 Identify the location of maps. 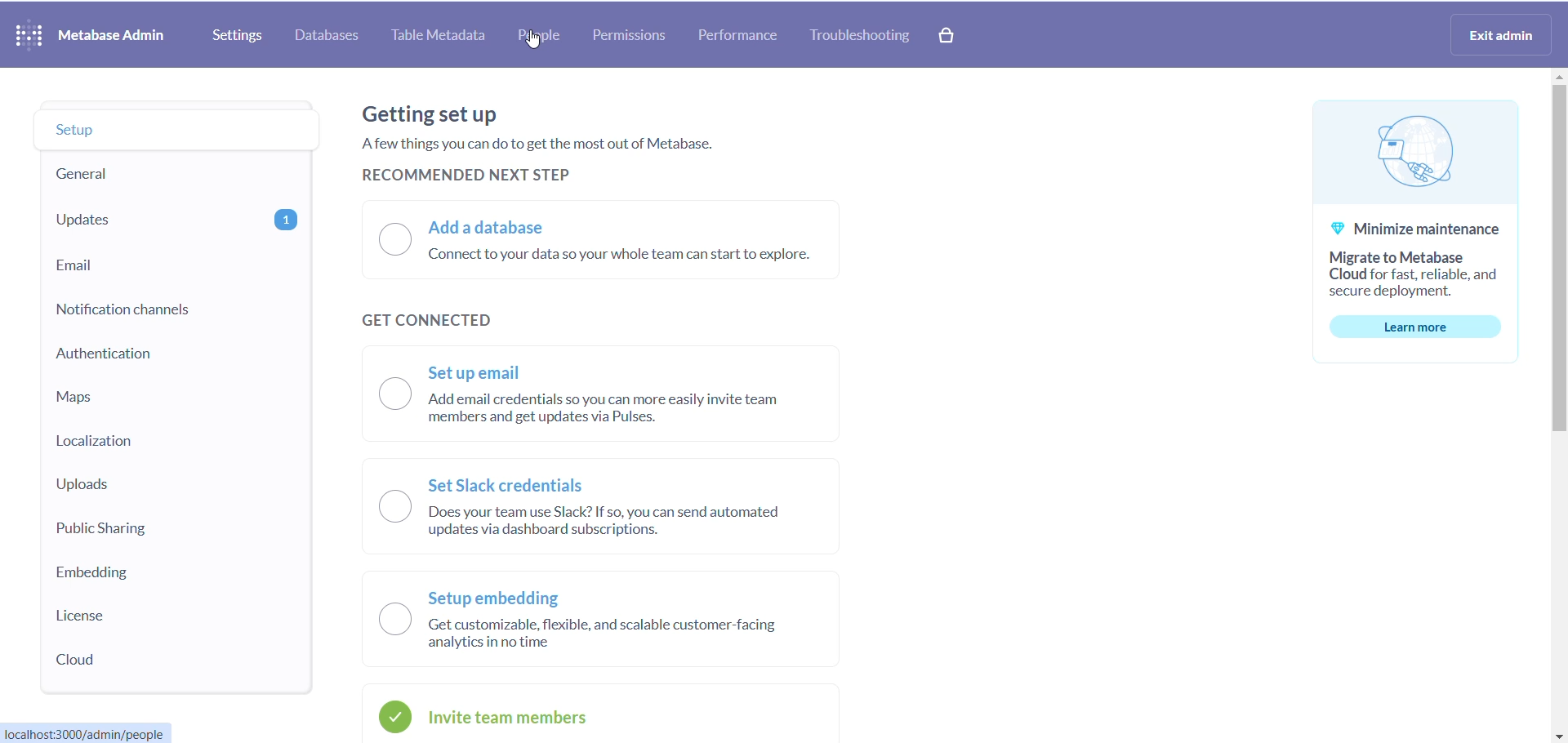
(158, 406).